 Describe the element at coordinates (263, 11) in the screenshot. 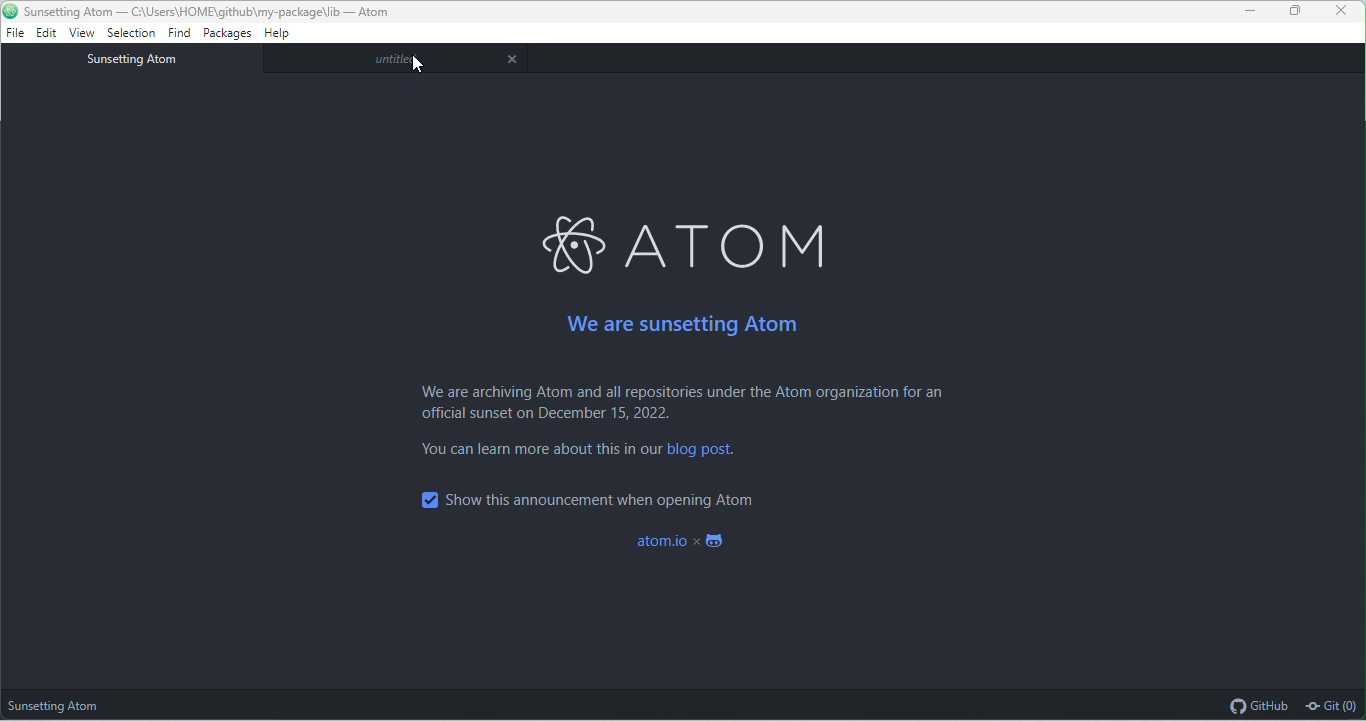

I see `Project path location` at that location.